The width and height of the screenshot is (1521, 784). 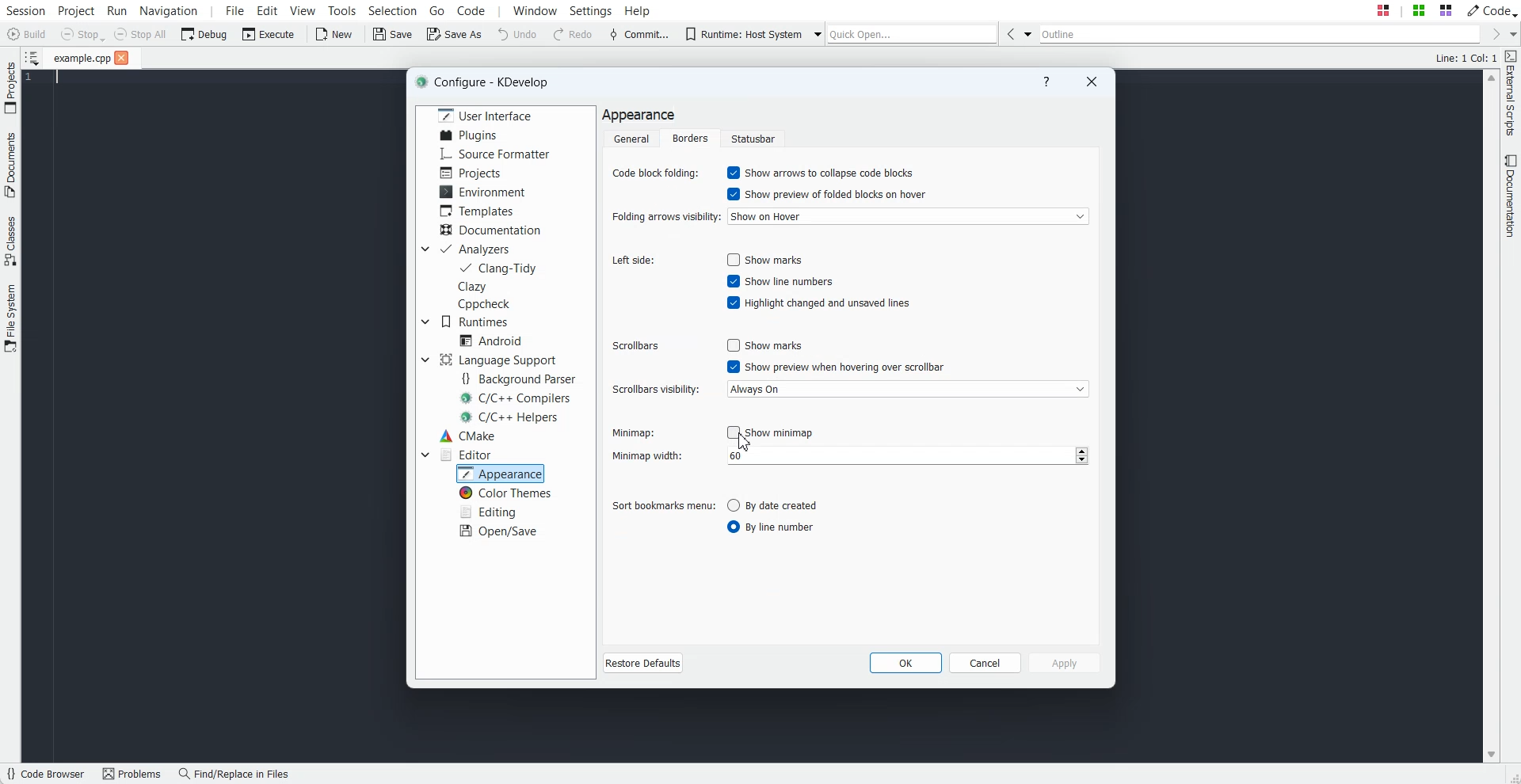 What do you see at coordinates (828, 194) in the screenshot?
I see `Enable show preview of folded blocks on hover` at bounding box center [828, 194].